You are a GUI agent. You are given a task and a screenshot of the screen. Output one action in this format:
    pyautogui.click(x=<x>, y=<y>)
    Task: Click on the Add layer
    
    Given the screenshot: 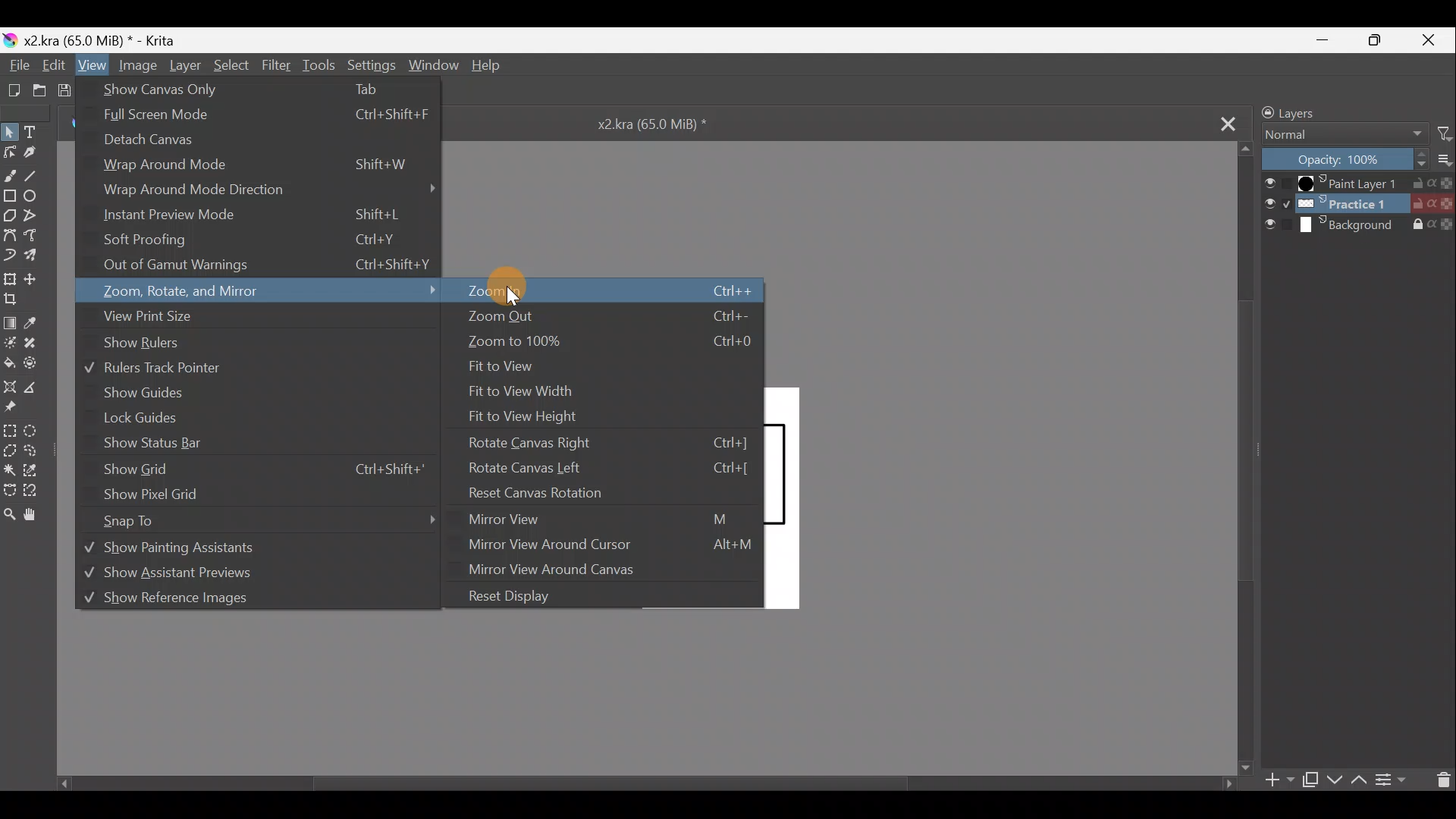 What is the action you would take?
    pyautogui.click(x=1282, y=782)
    